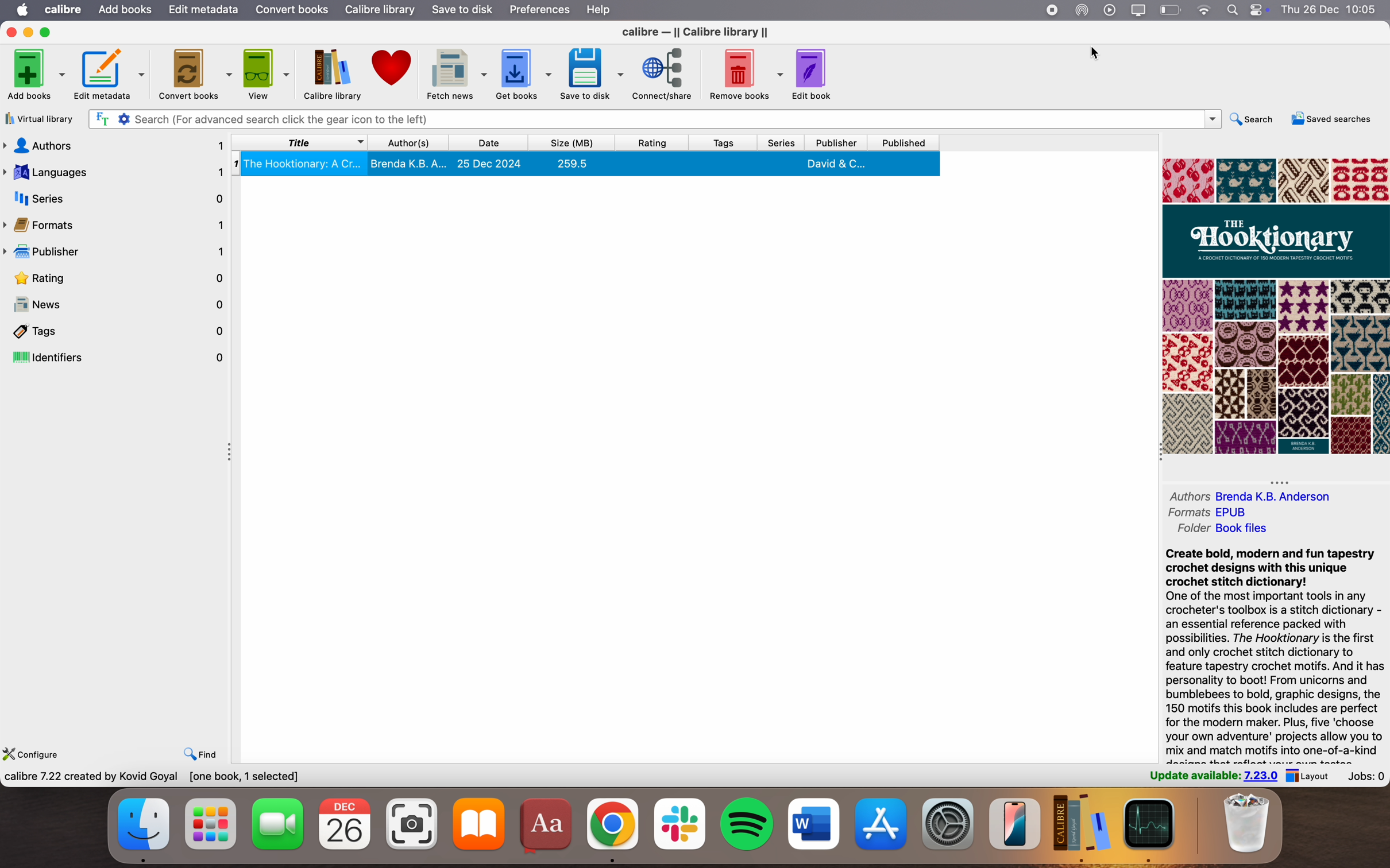  Describe the element at coordinates (480, 824) in the screenshot. I see `iBooks` at that location.